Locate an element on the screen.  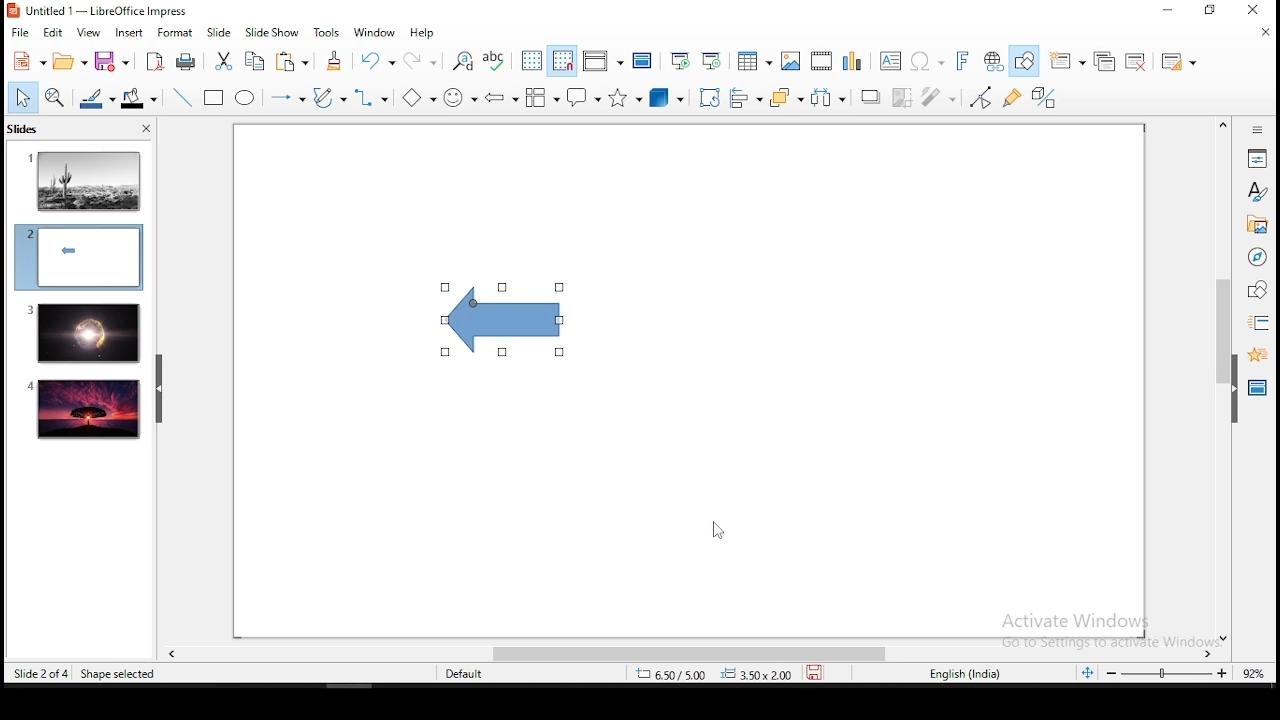
properties is located at coordinates (1257, 157).